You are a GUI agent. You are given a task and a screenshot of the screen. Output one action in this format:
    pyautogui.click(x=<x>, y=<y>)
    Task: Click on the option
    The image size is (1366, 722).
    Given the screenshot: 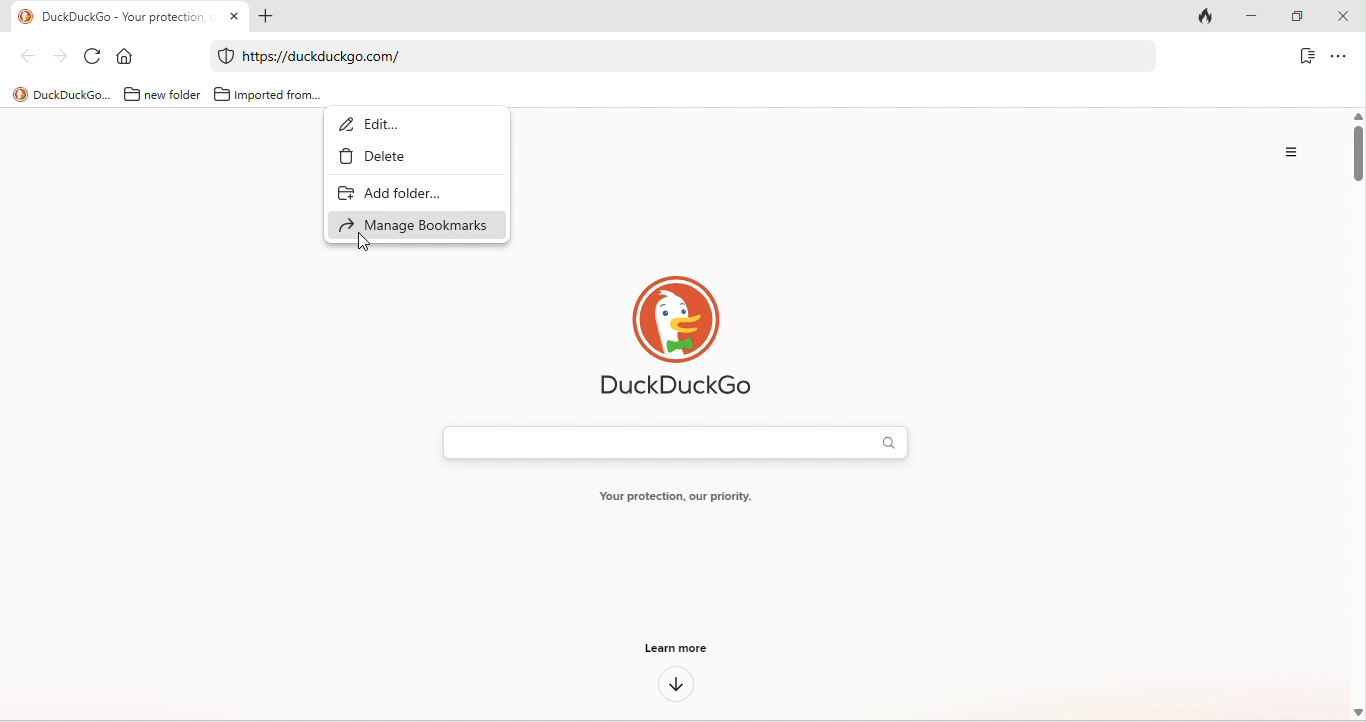 What is the action you would take?
    pyautogui.click(x=1288, y=155)
    